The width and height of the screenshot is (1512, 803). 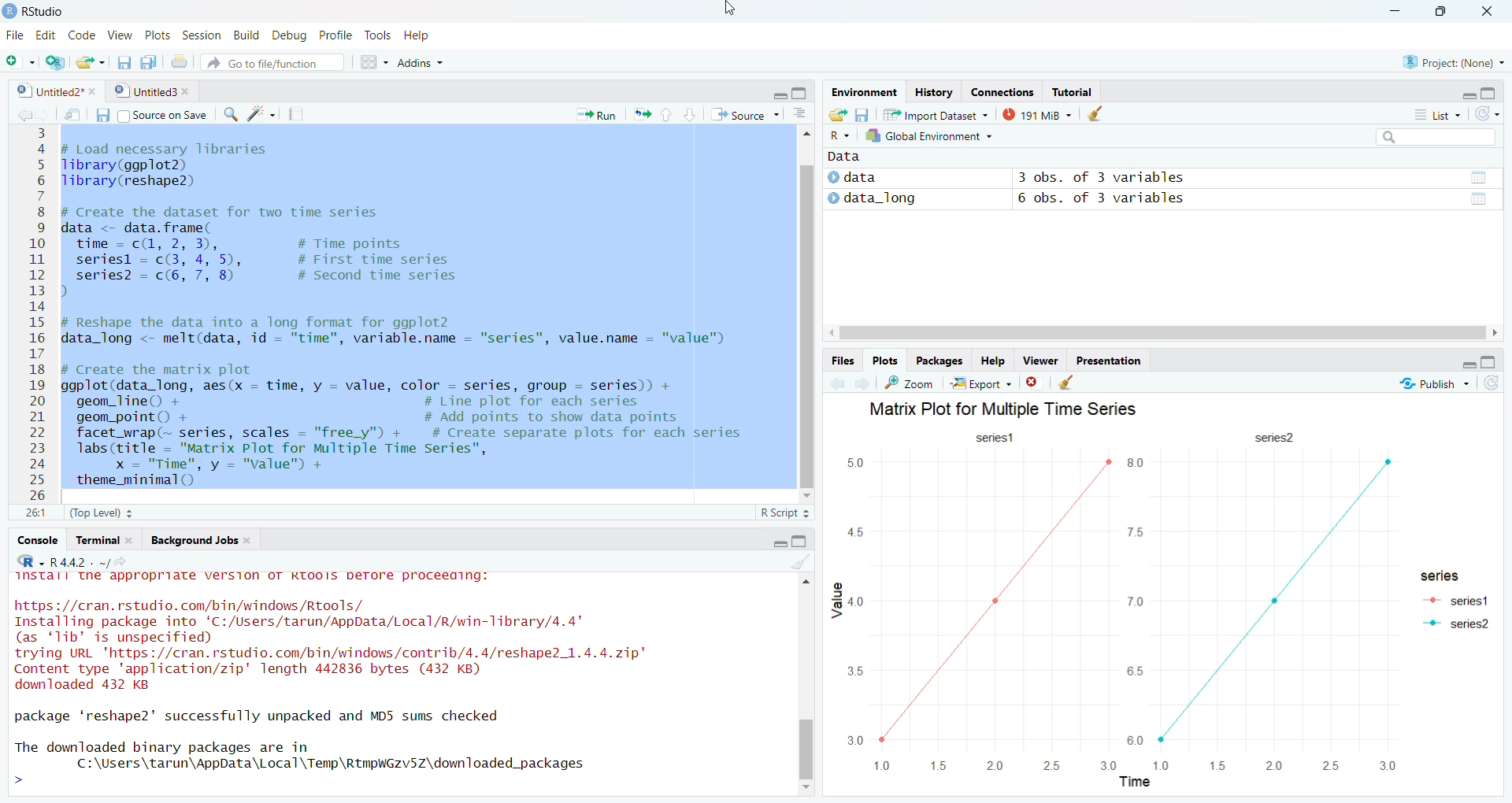 What do you see at coordinates (1395, 11) in the screenshot?
I see `Minimize` at bounding box center [1395, 11].